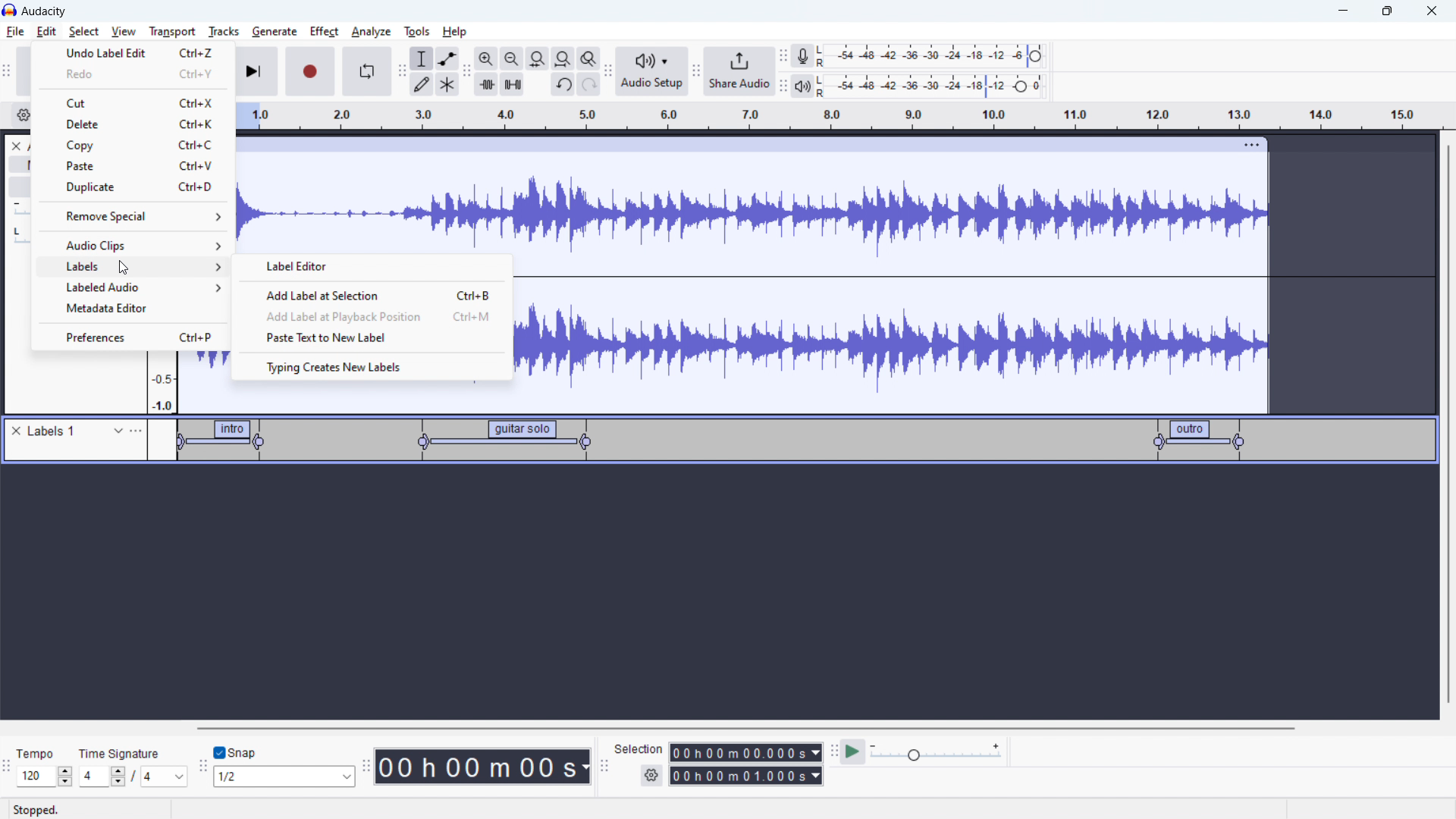 This screenshot has height=819, width=1456. Describe the element at coordinates (370, 294) in the screenshot. I see `add label at selection` at that location.